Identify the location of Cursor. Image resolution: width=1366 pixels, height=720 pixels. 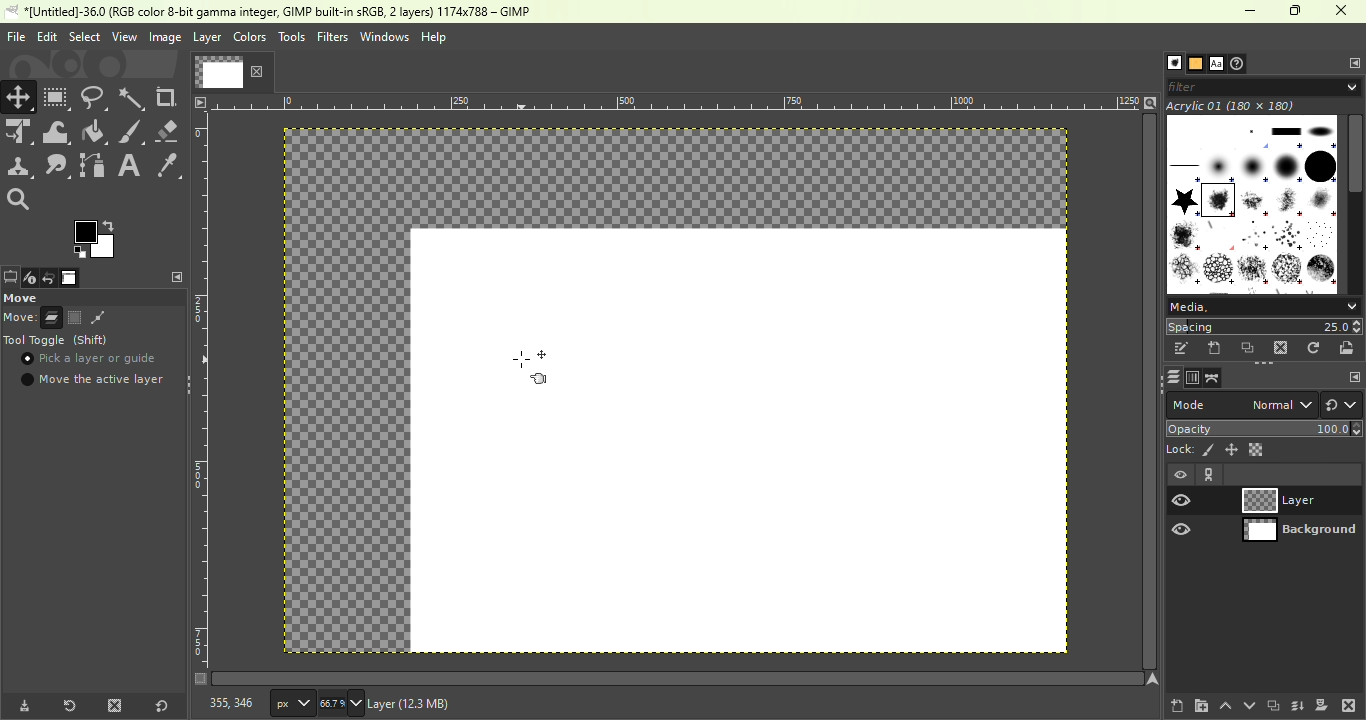
(532, 373).